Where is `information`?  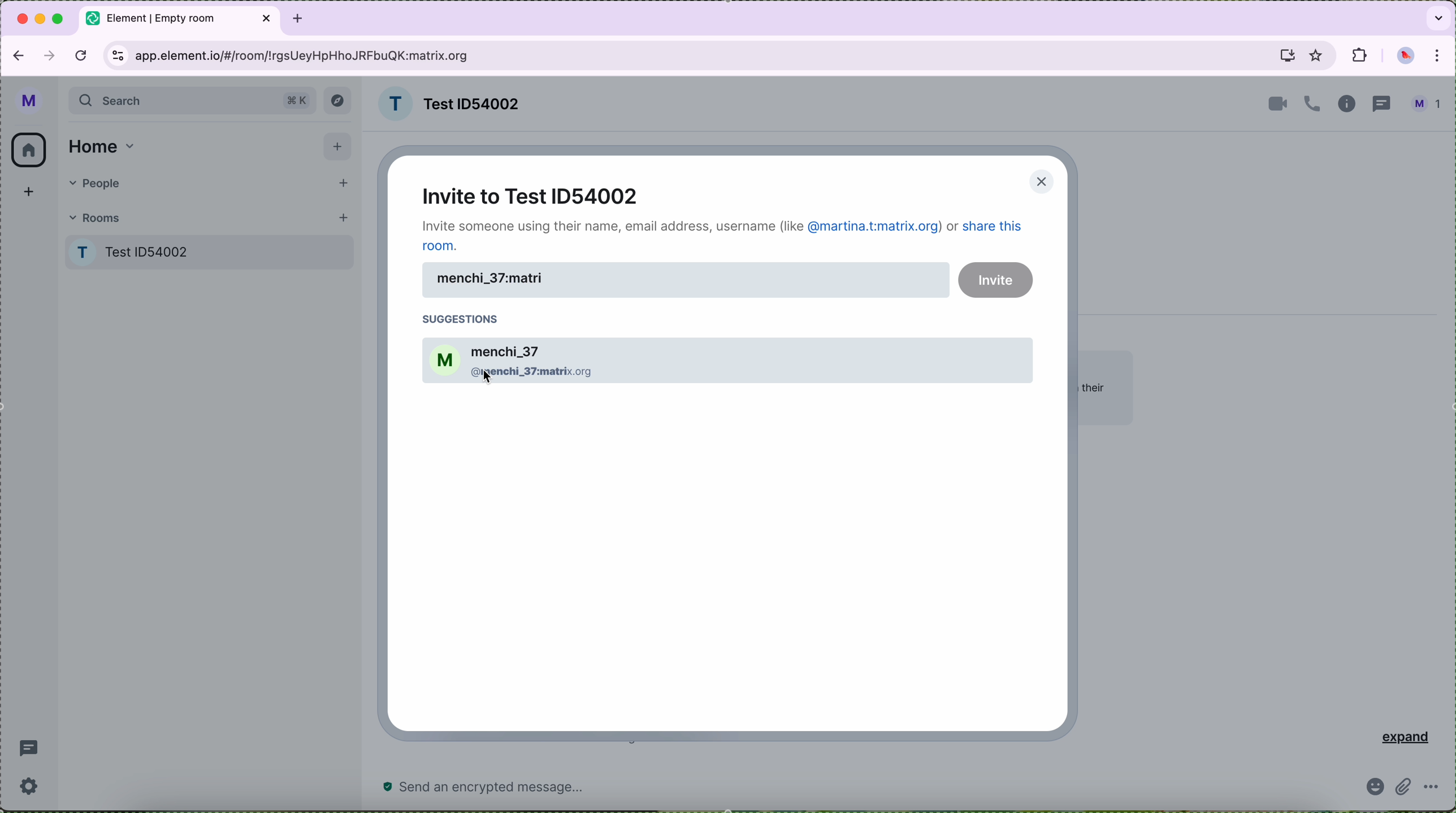
information is located at coordinates (1346, 105).